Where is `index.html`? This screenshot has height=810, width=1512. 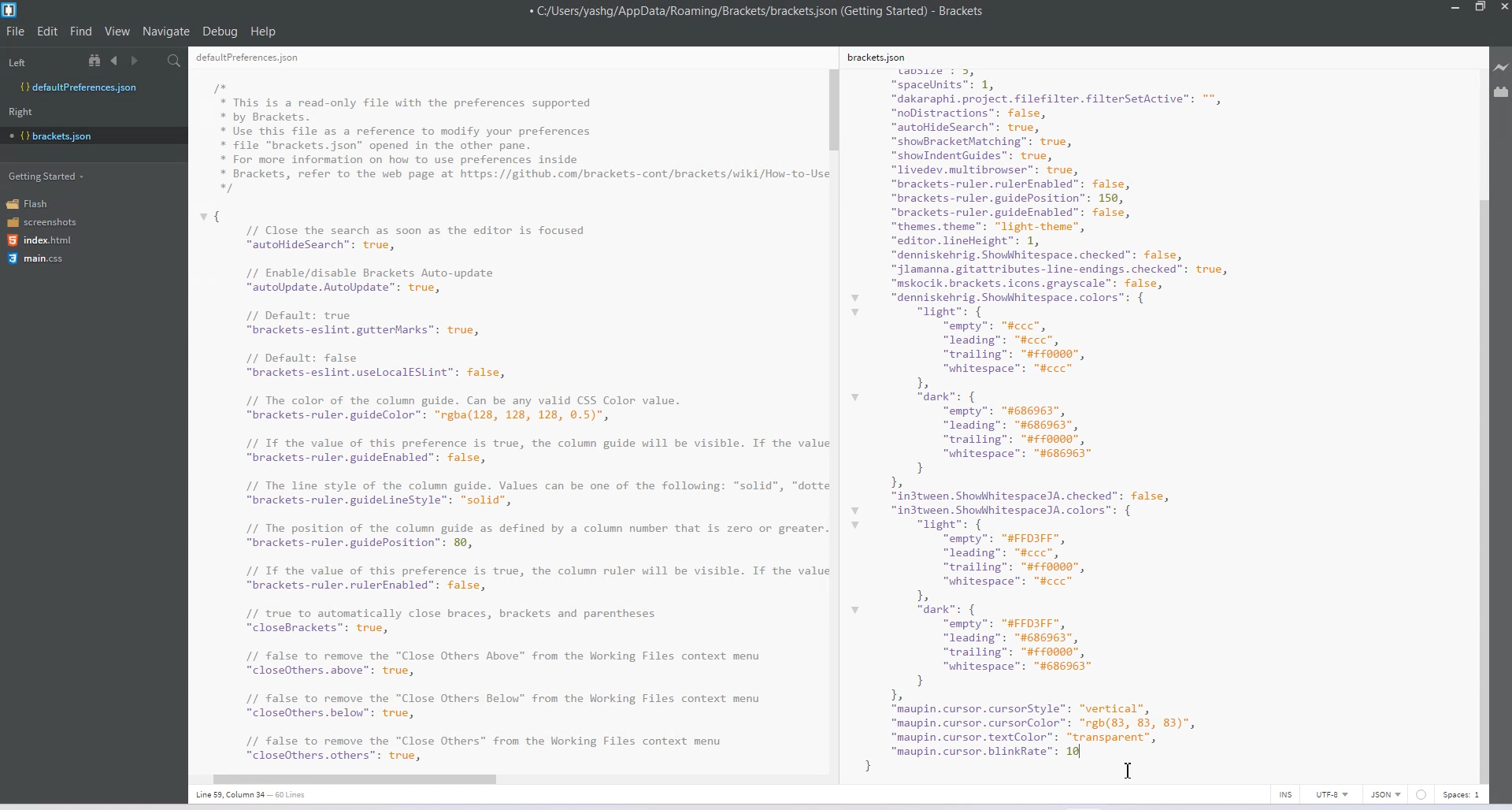 index.html is located at coordinates (45, 240).